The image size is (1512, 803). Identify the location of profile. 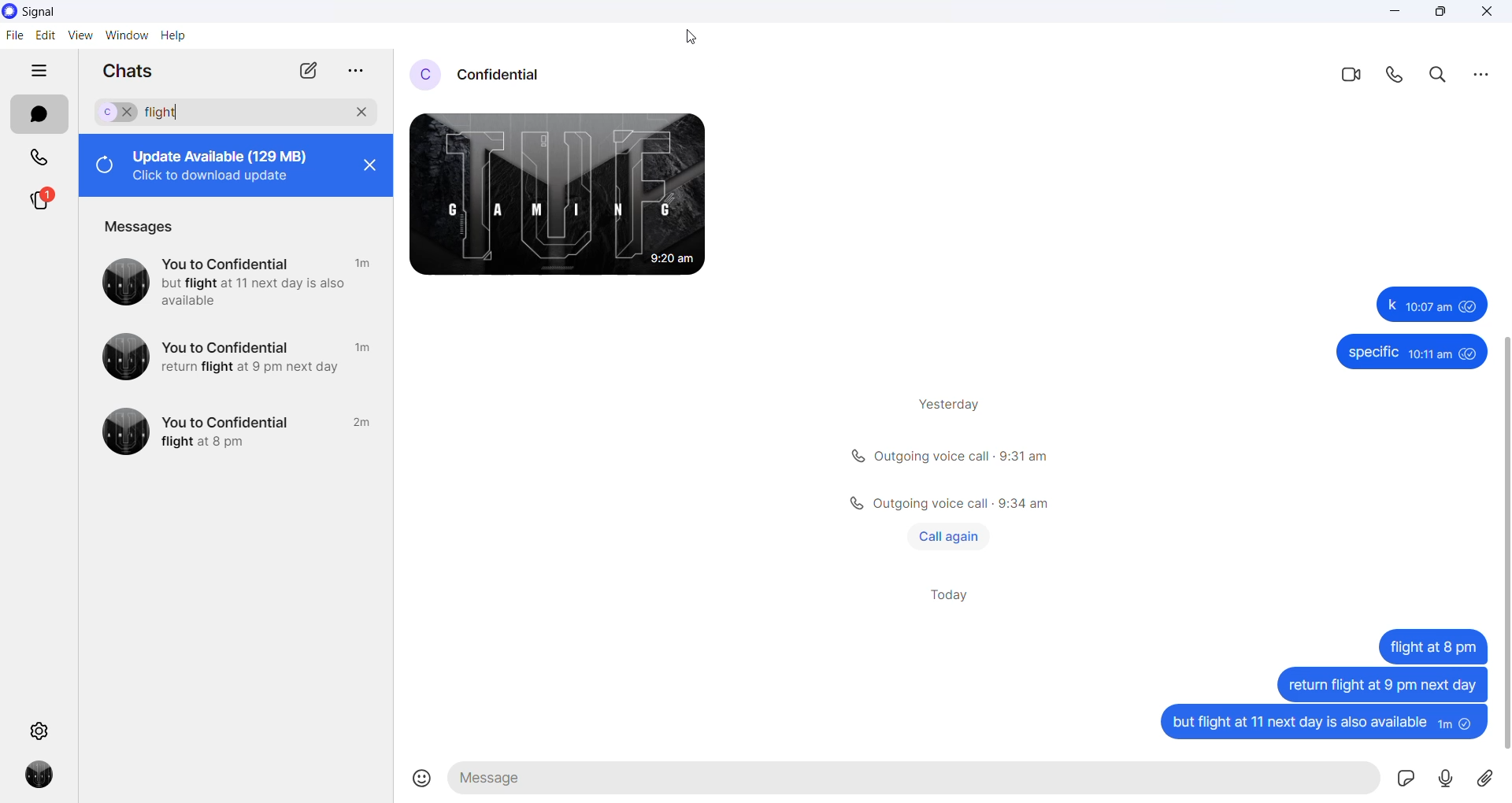
(41, 776).